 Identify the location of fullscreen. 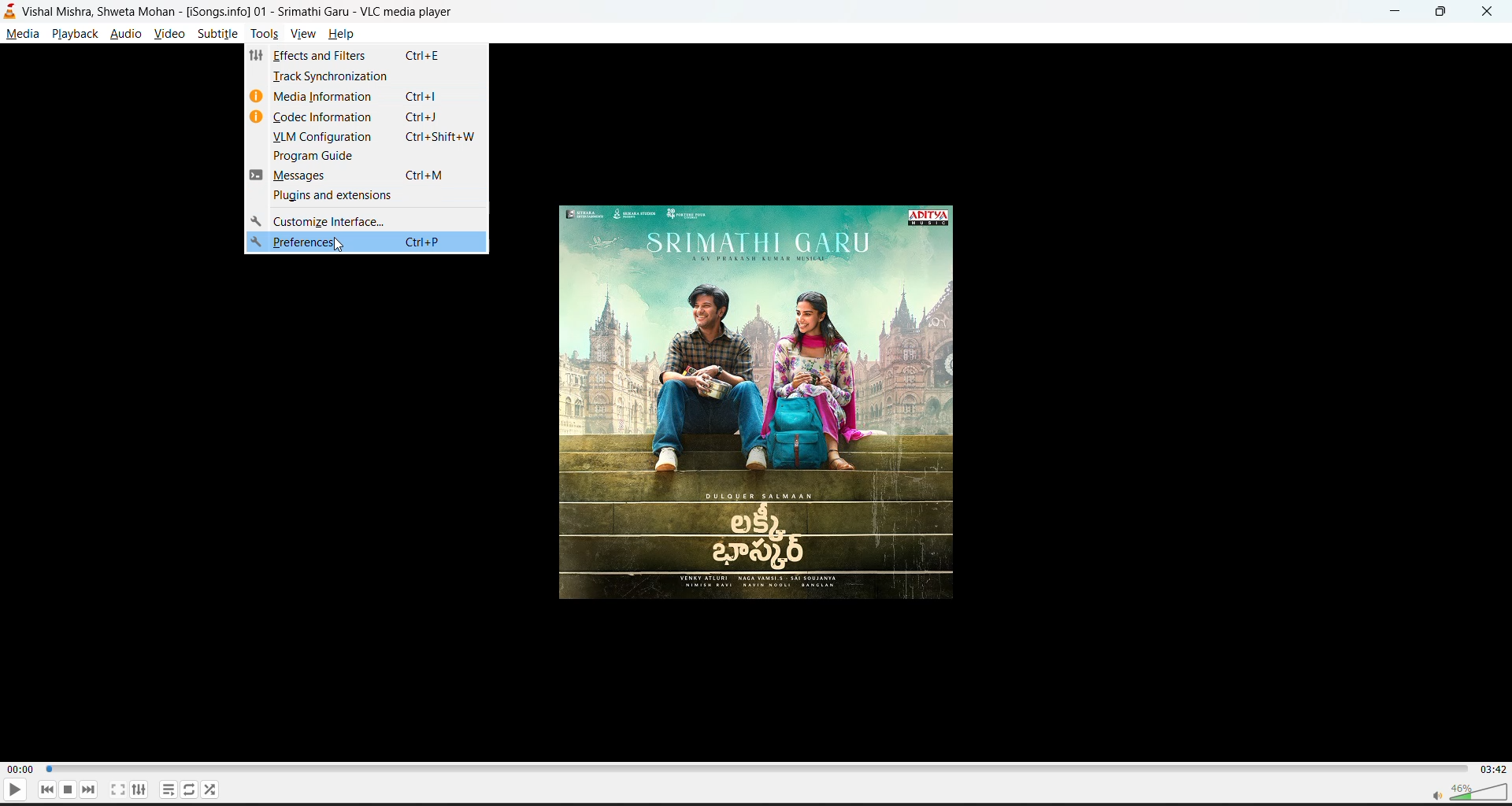
(116, 789).